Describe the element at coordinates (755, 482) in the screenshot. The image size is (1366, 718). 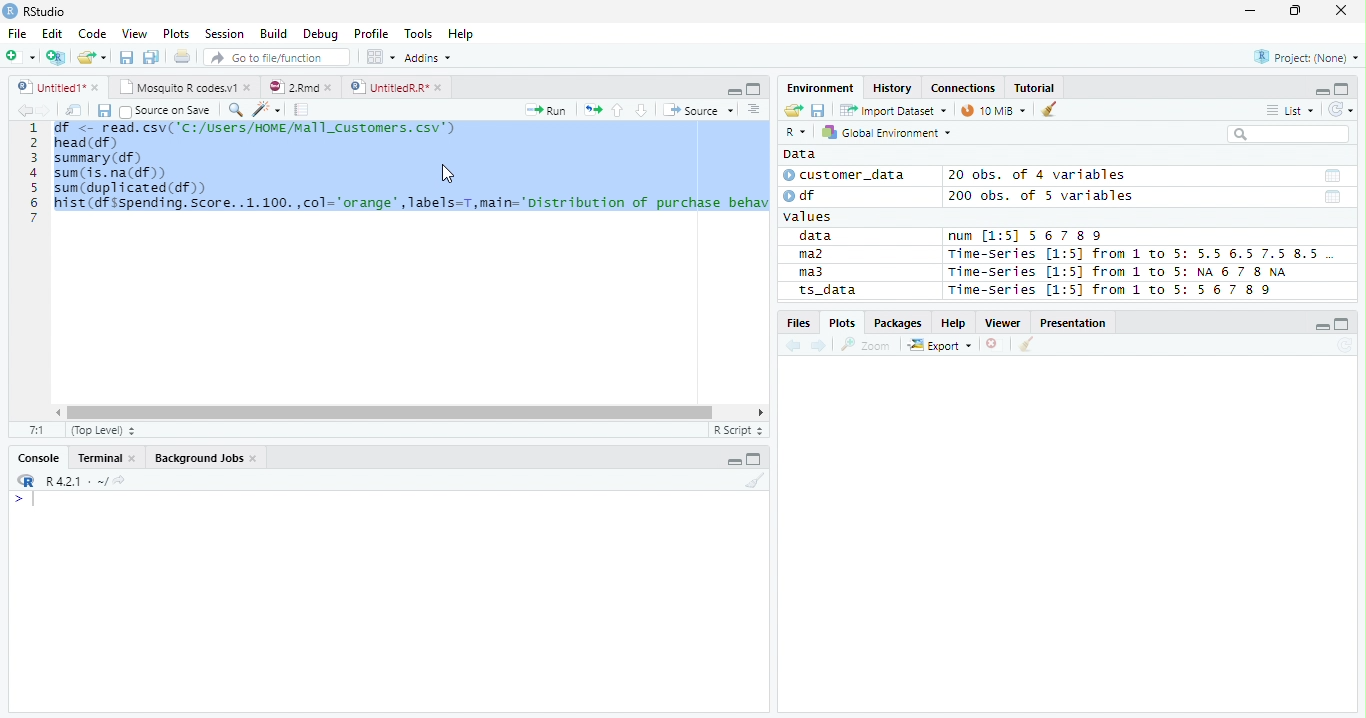
I see `Clean` at that location.